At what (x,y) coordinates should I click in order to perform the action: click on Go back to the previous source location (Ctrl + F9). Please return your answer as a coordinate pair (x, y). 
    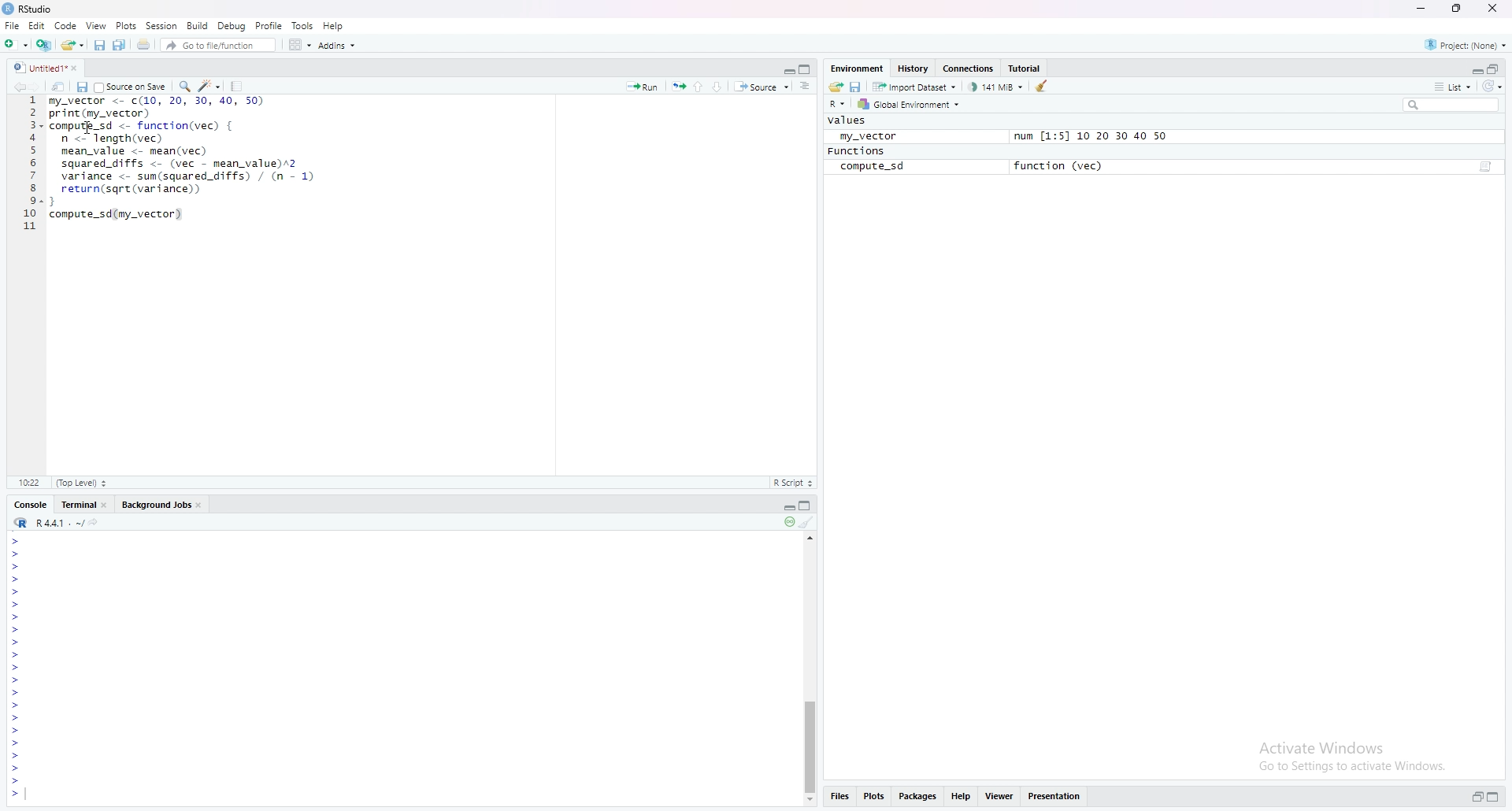
    Looking at the image, I should click on (24, 87).